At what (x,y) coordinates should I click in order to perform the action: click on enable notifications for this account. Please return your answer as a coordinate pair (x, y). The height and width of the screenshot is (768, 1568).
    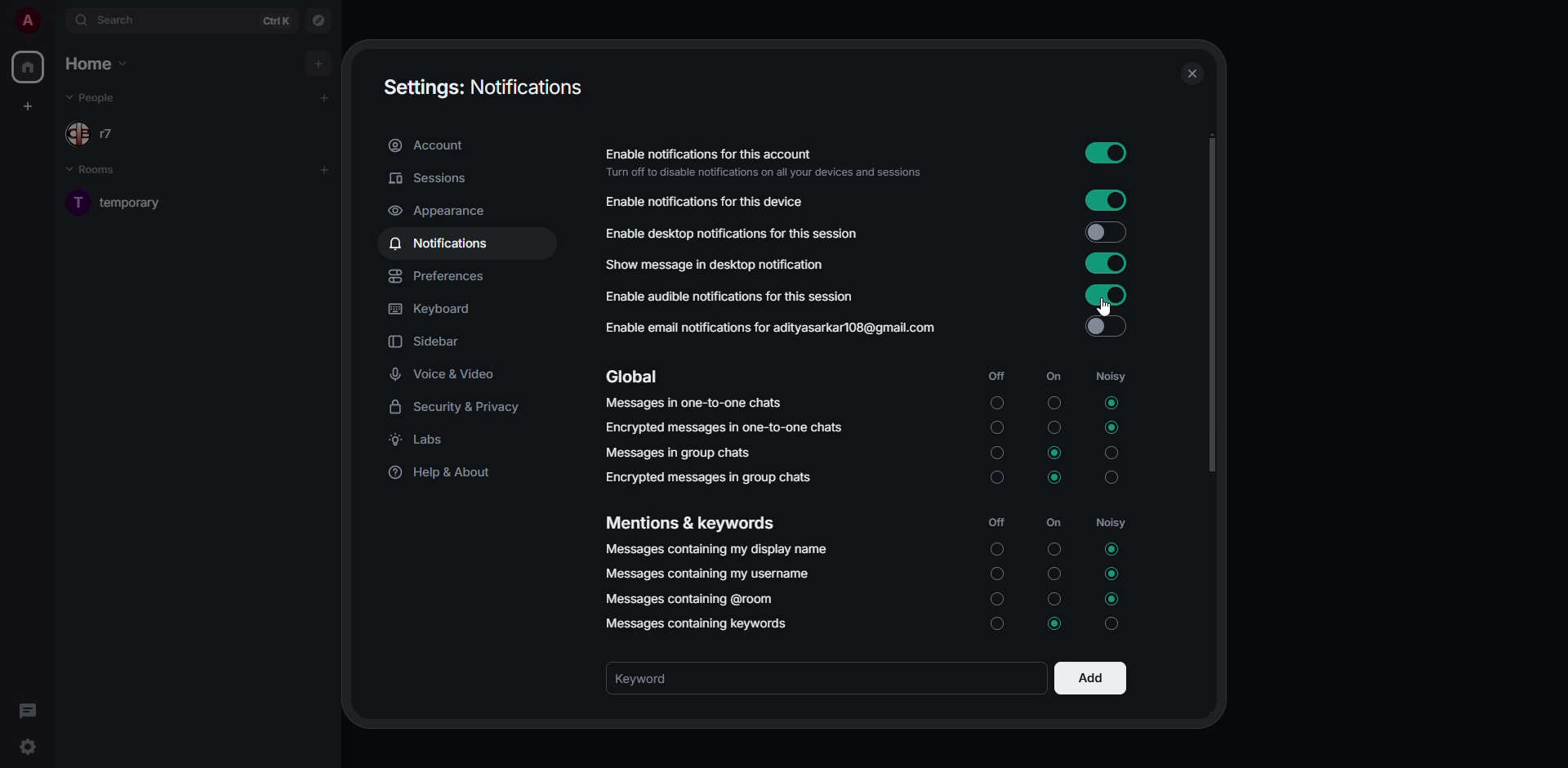
    Looking at the image, I should click on (769, 163).